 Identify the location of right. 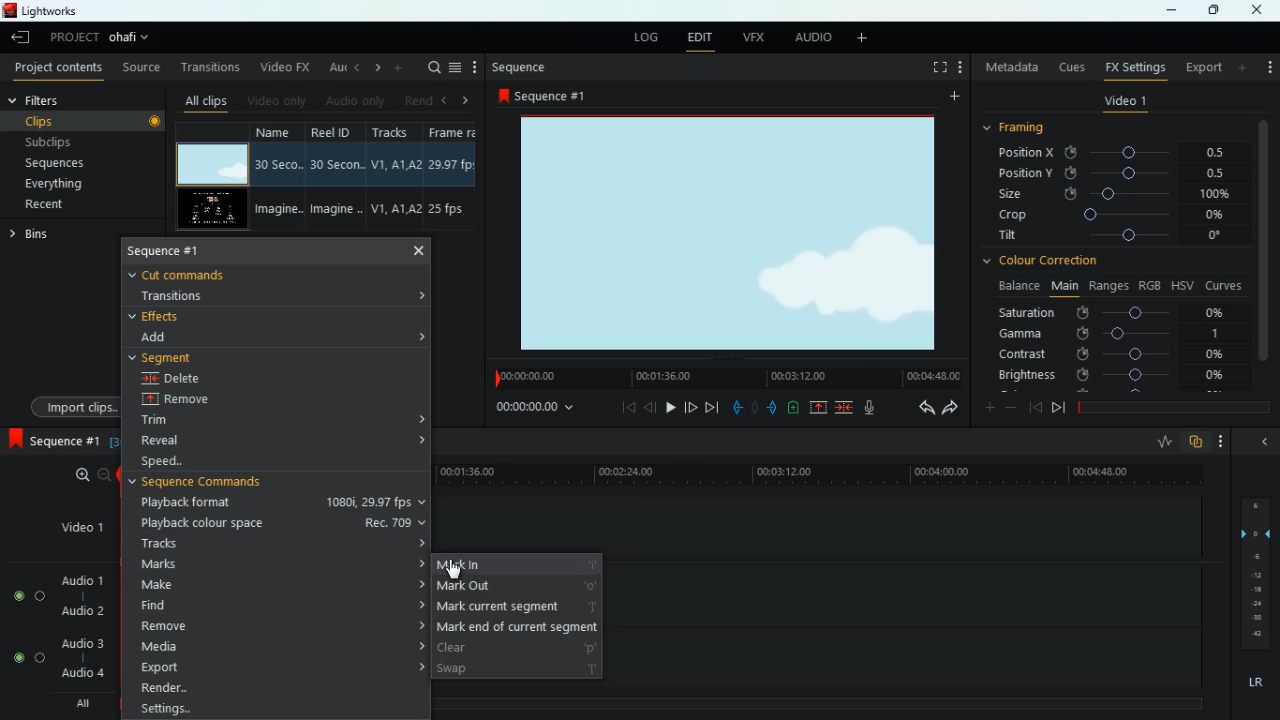
(467, 100).